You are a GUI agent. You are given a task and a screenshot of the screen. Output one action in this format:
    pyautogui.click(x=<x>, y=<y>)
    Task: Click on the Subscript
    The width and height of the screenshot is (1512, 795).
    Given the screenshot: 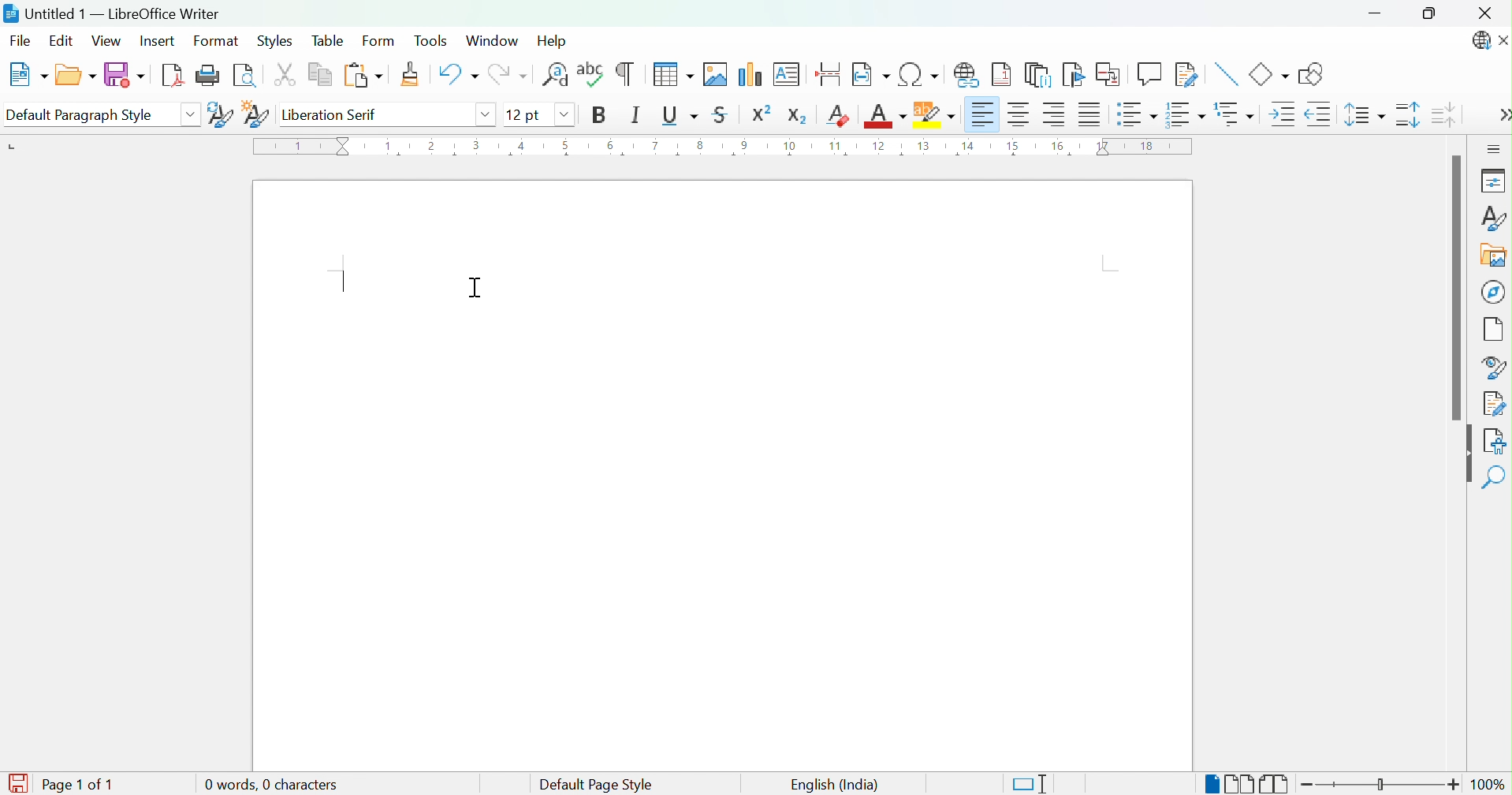 What is the action you would take?
    pyautogui.click(x=798, y=113)
    